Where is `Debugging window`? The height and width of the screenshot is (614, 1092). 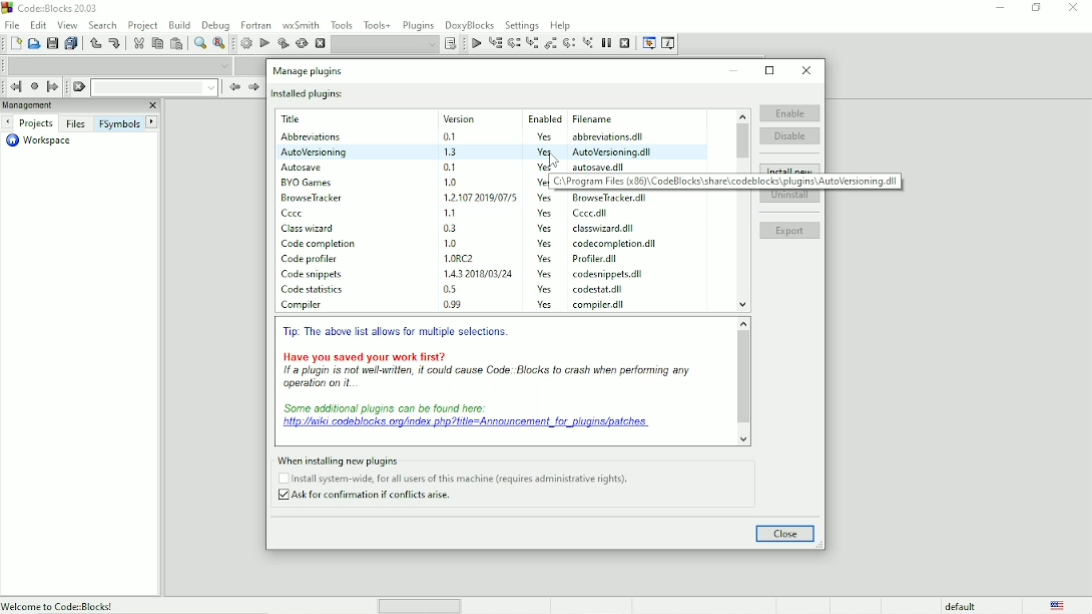 Debugging window is located at coordinates (648, 43).